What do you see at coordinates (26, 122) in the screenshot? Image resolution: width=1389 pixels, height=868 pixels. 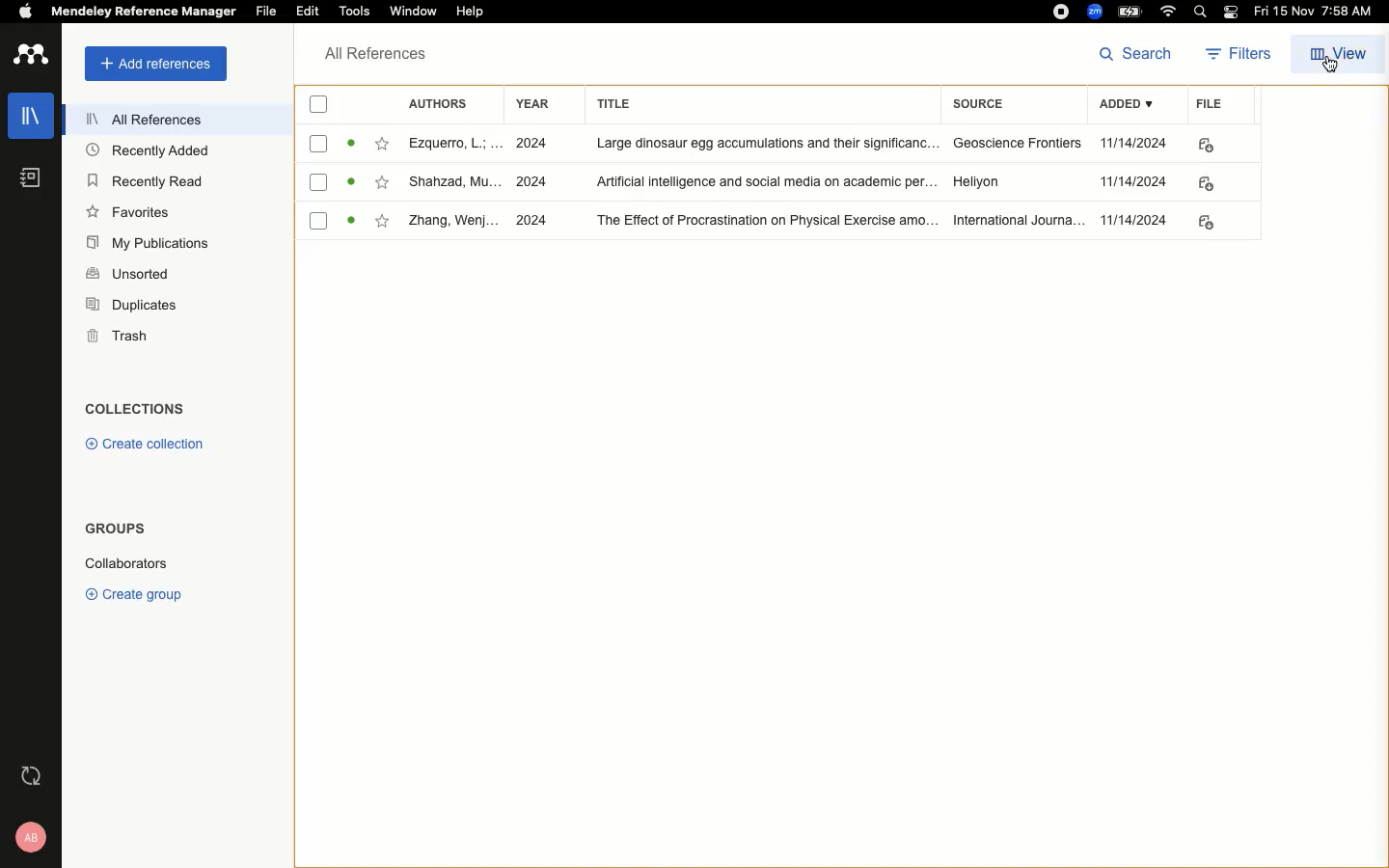 I see `Library` at bounding box center [26, 122].